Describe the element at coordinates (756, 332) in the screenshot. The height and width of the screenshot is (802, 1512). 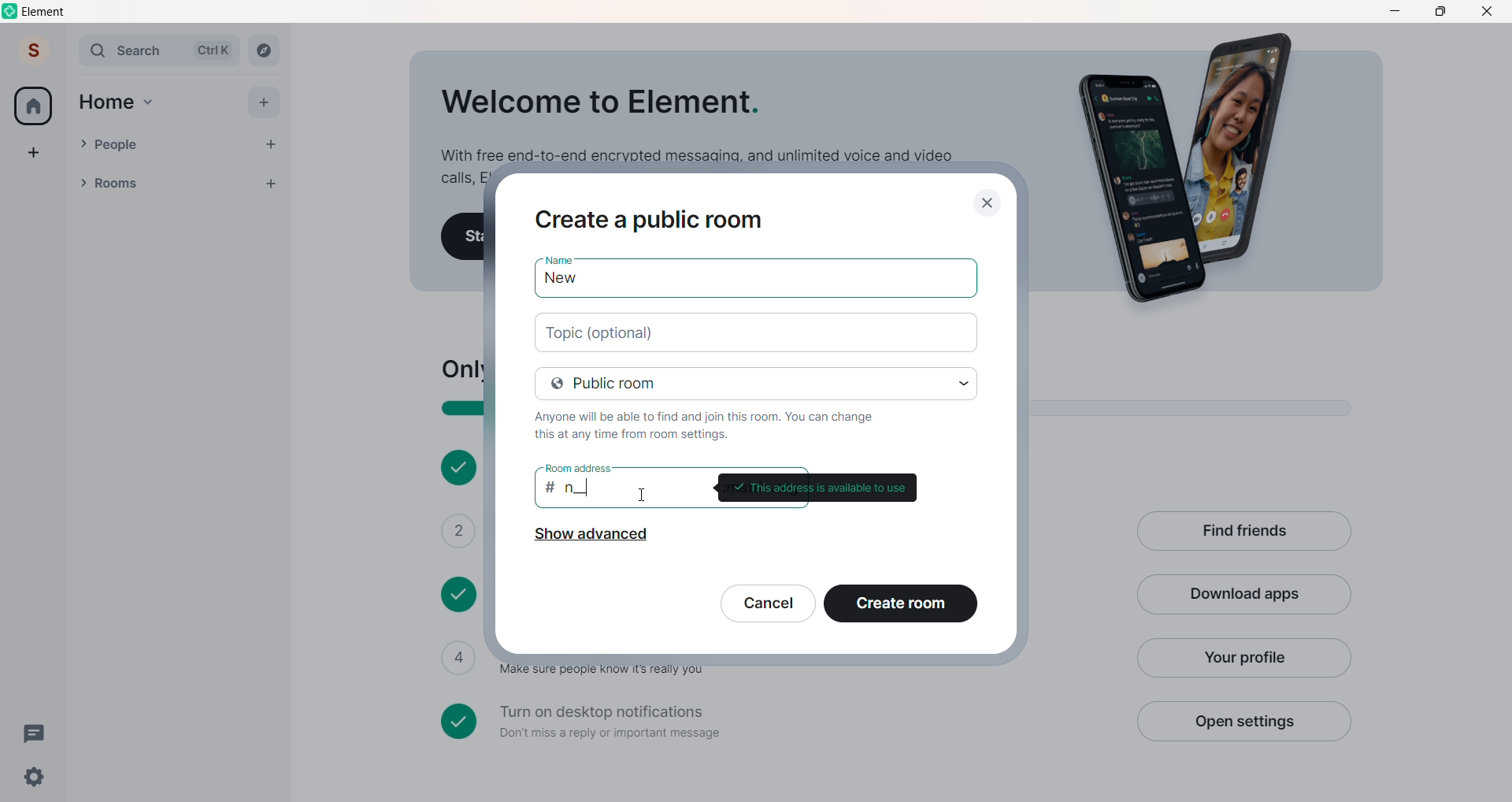
I see `add topic (optional)` at that location.